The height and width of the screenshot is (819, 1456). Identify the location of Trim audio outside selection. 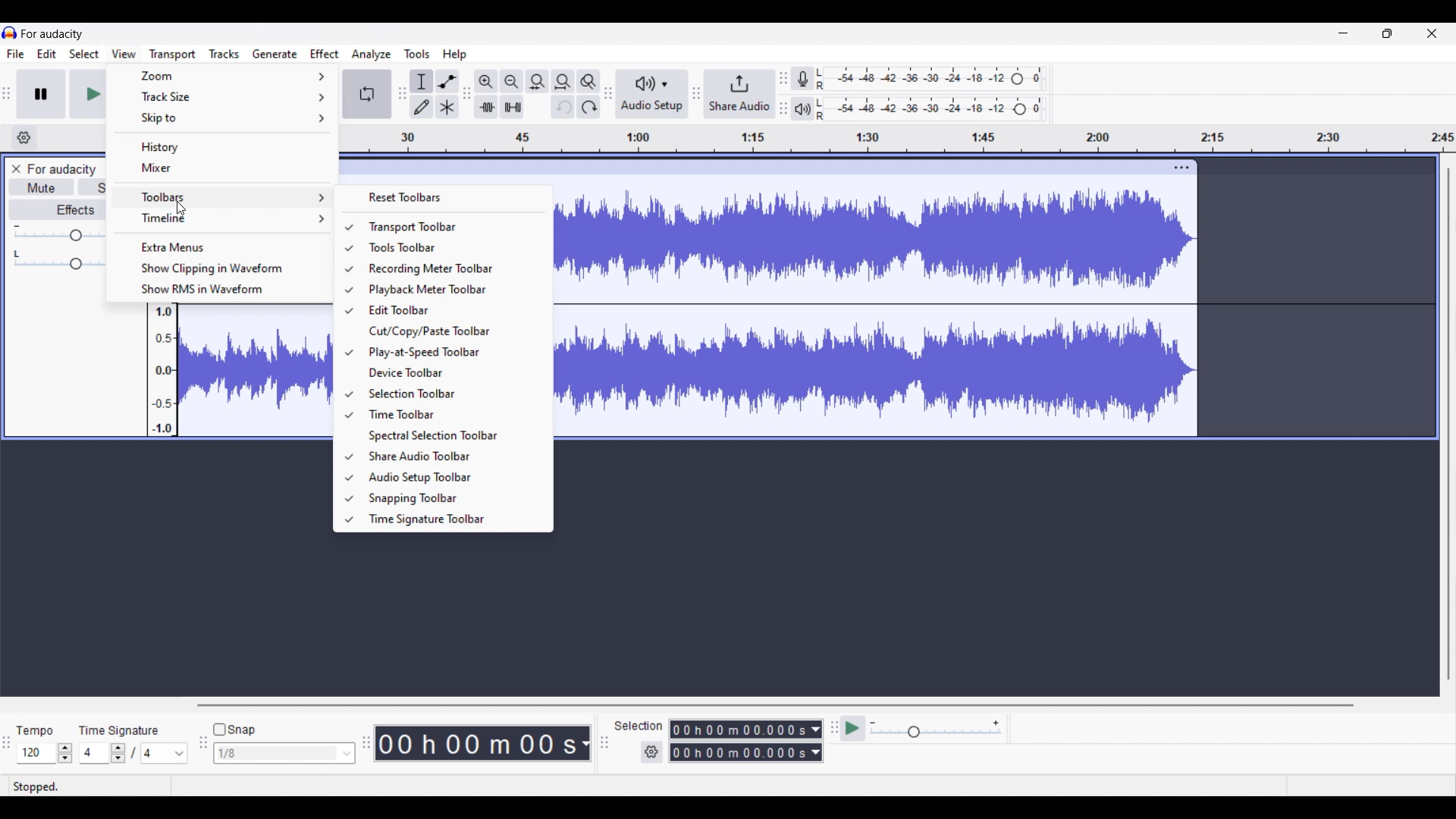
(486, 107).